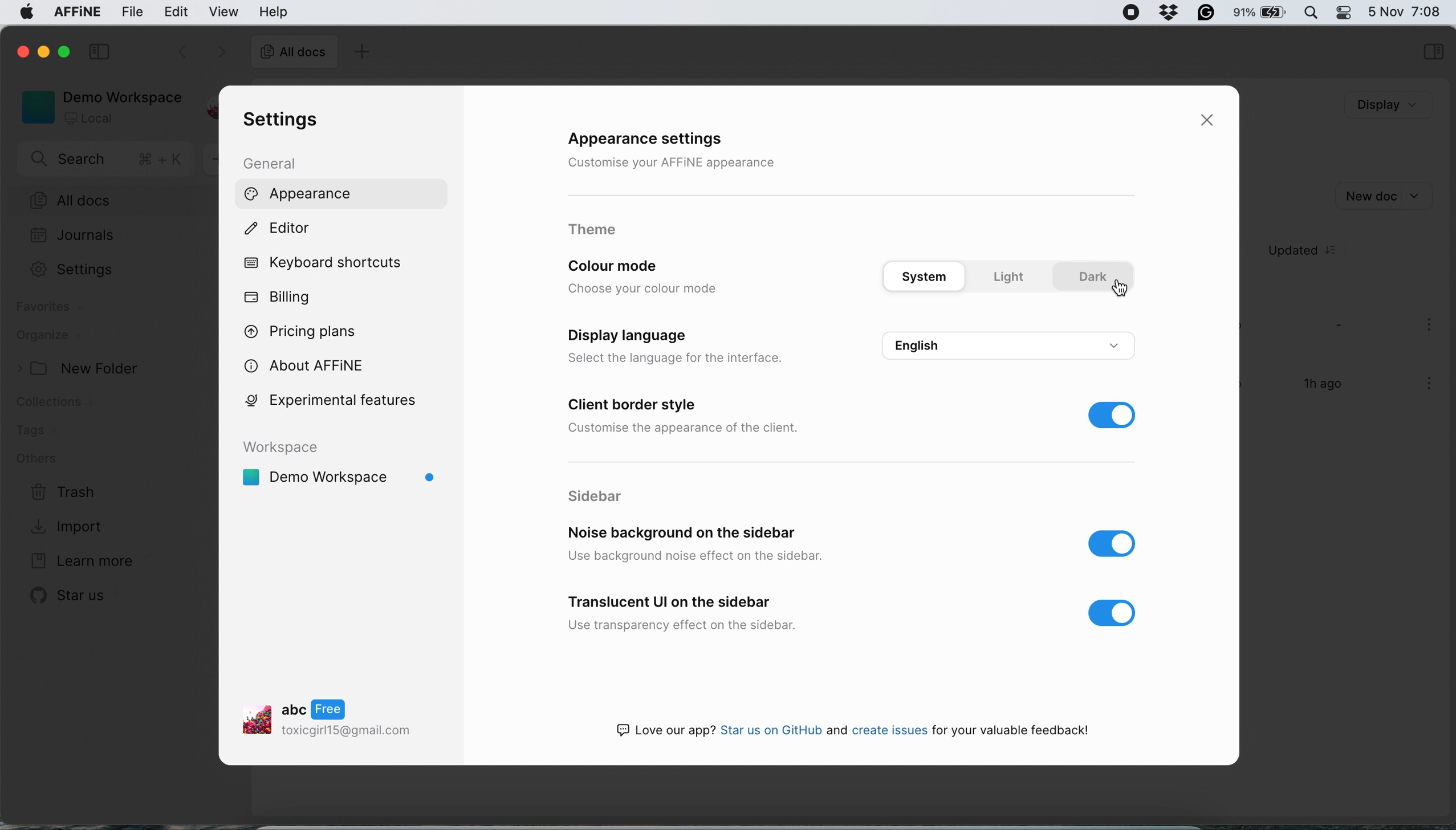  Describe the element at coordinates (79, 559) in the screenshot. I see `learn more` at that location.